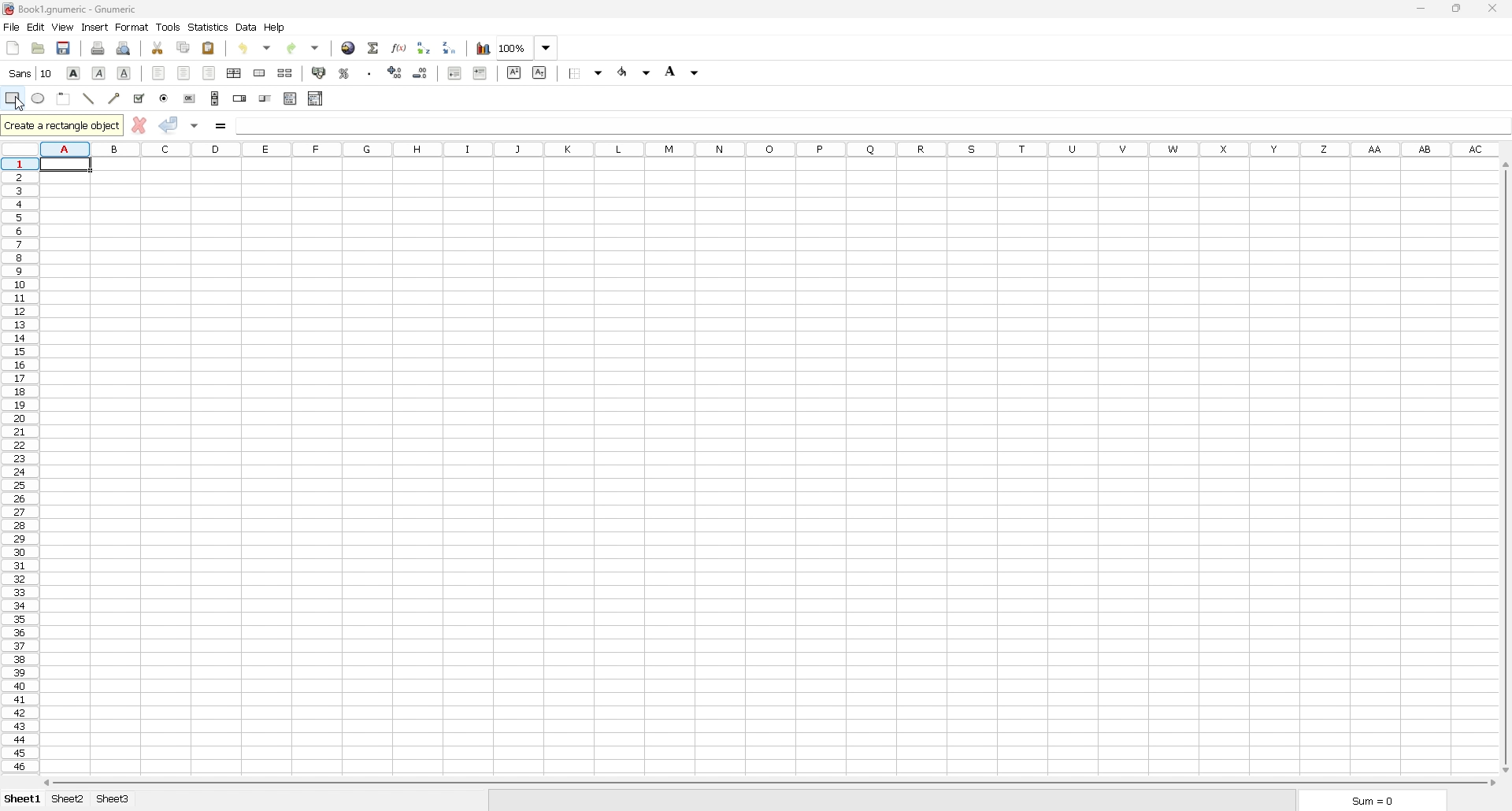 The height and width of the screenshot is (811, 1512). I want to click on print, so click(98, 46).